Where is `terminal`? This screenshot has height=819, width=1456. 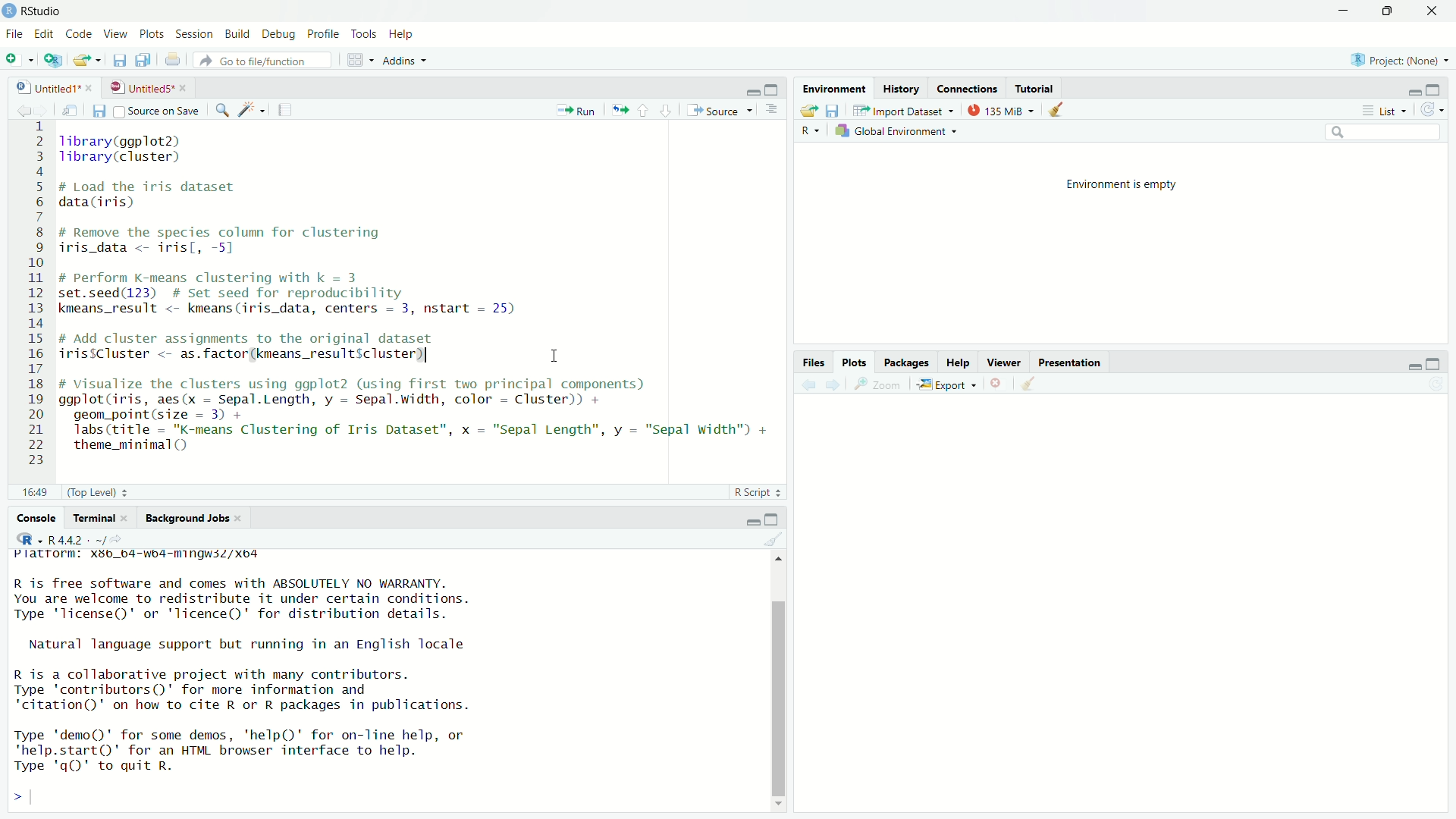 terminal is located at coordinates (93, 517).